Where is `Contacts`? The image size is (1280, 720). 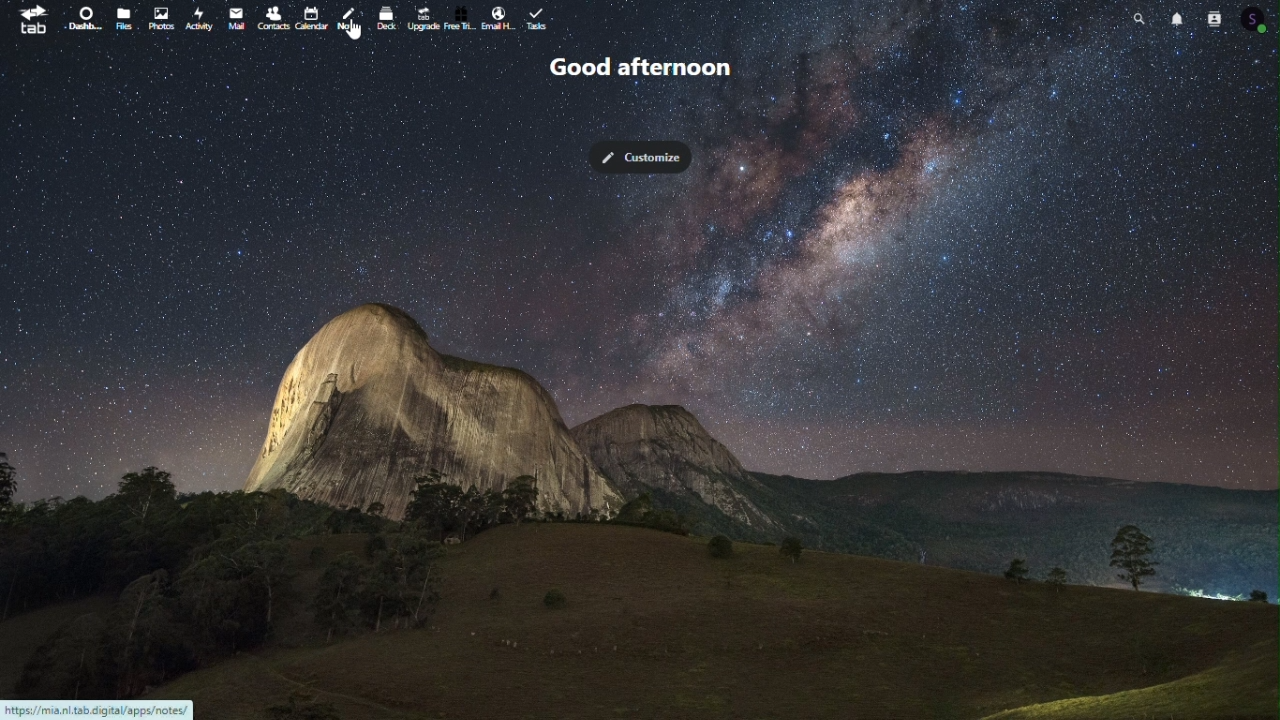 Contacts is located at coordinates (1214, 17).